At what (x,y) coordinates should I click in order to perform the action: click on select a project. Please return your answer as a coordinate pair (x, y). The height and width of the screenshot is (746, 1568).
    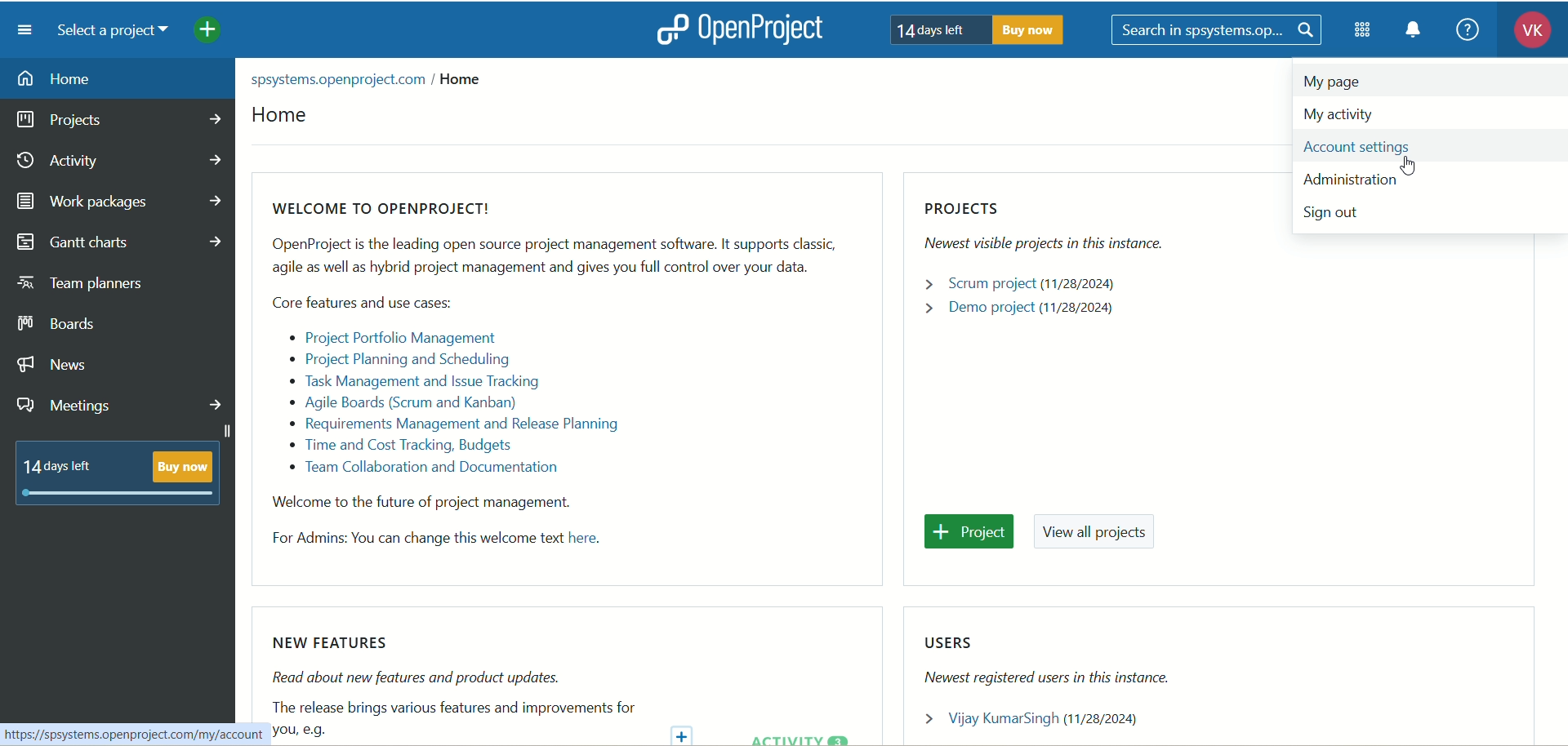
    Looking at the image, I should click on (119, 33).